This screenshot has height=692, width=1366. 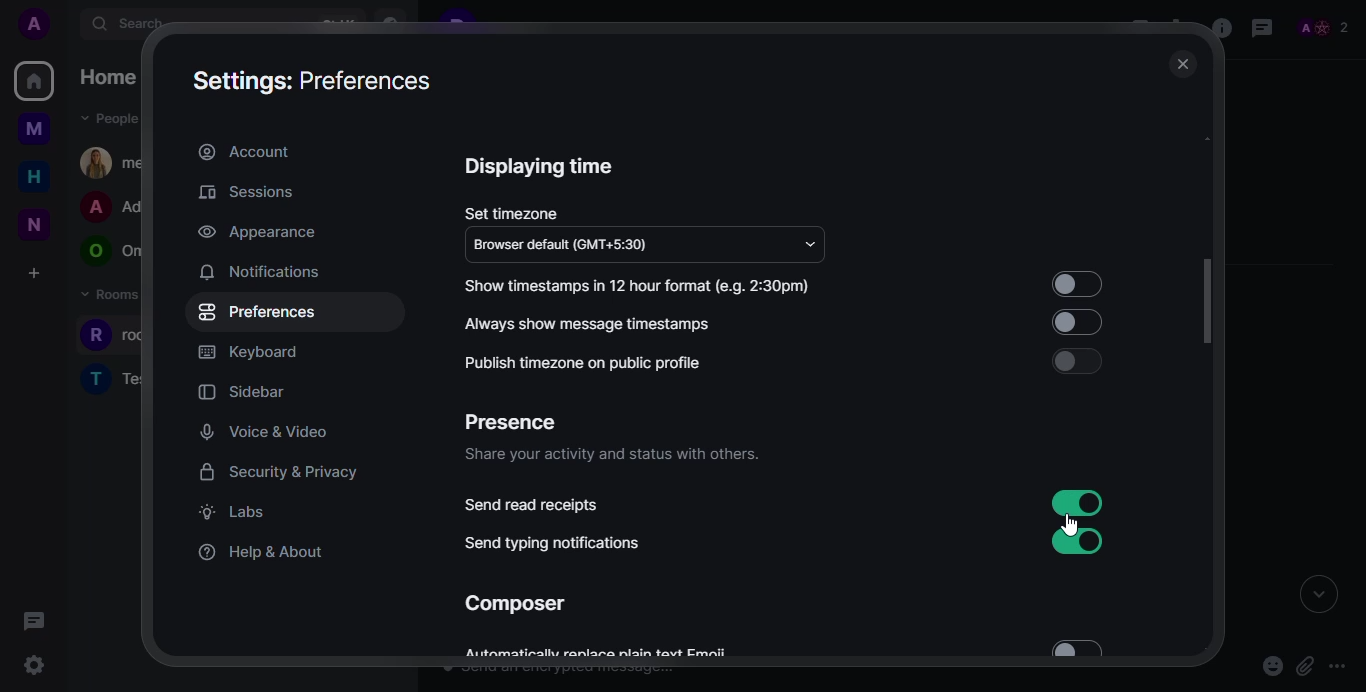 What do you see at coordinates (246, 192) in the screenshot?
I see `sessions` at bounding box center [246, 192].